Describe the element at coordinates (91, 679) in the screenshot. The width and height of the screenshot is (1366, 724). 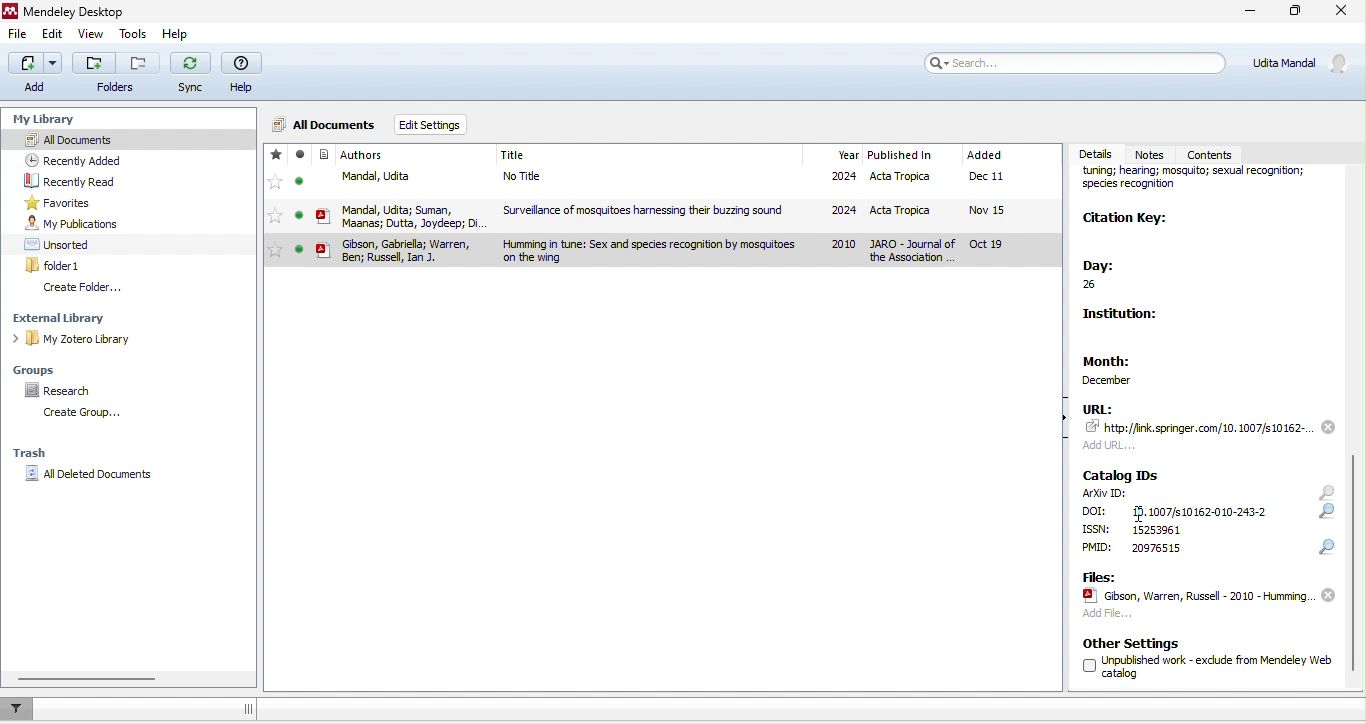
I see `horizontal scroll bar` at that location.